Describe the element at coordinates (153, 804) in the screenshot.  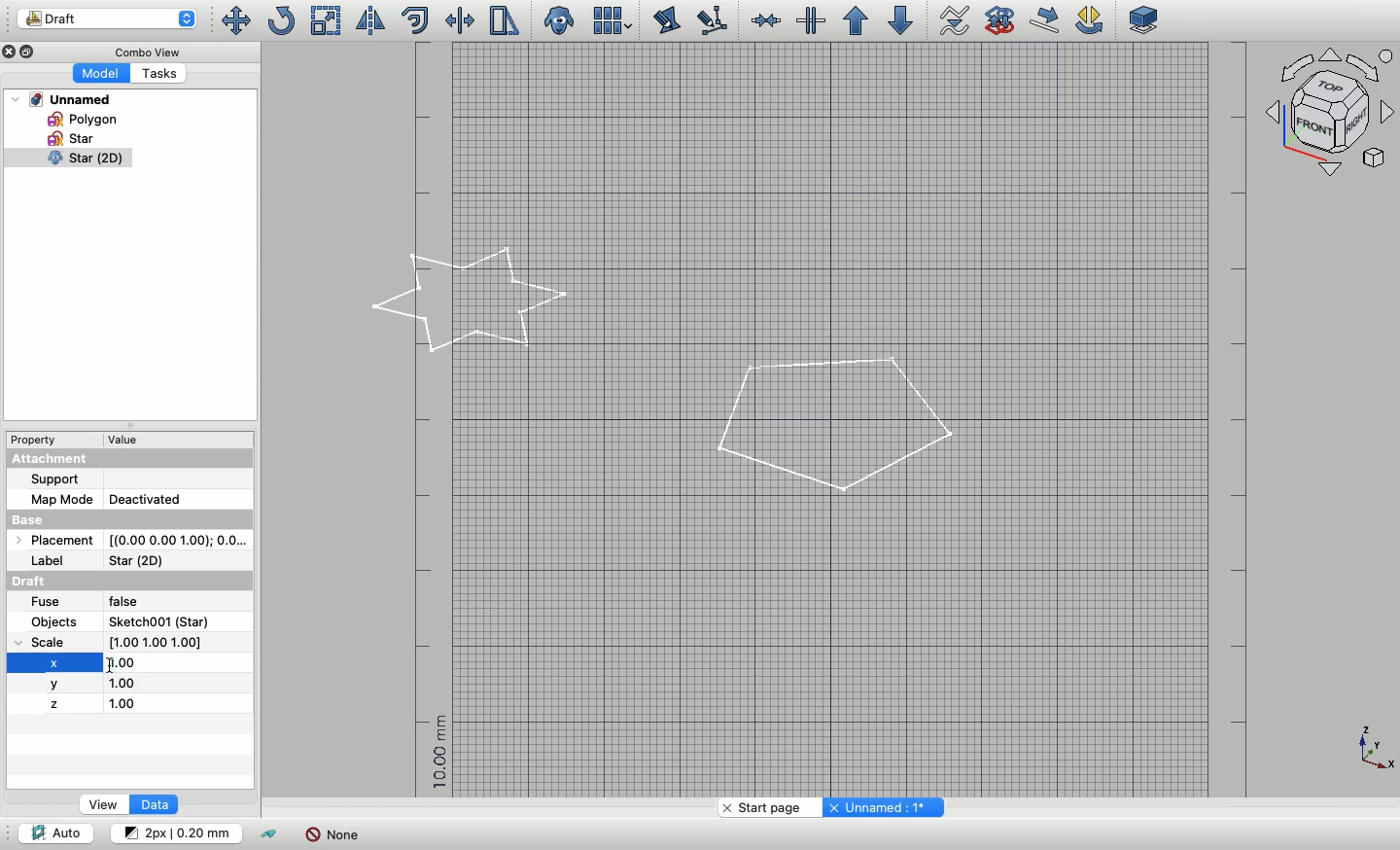
I see `Data` at that location.